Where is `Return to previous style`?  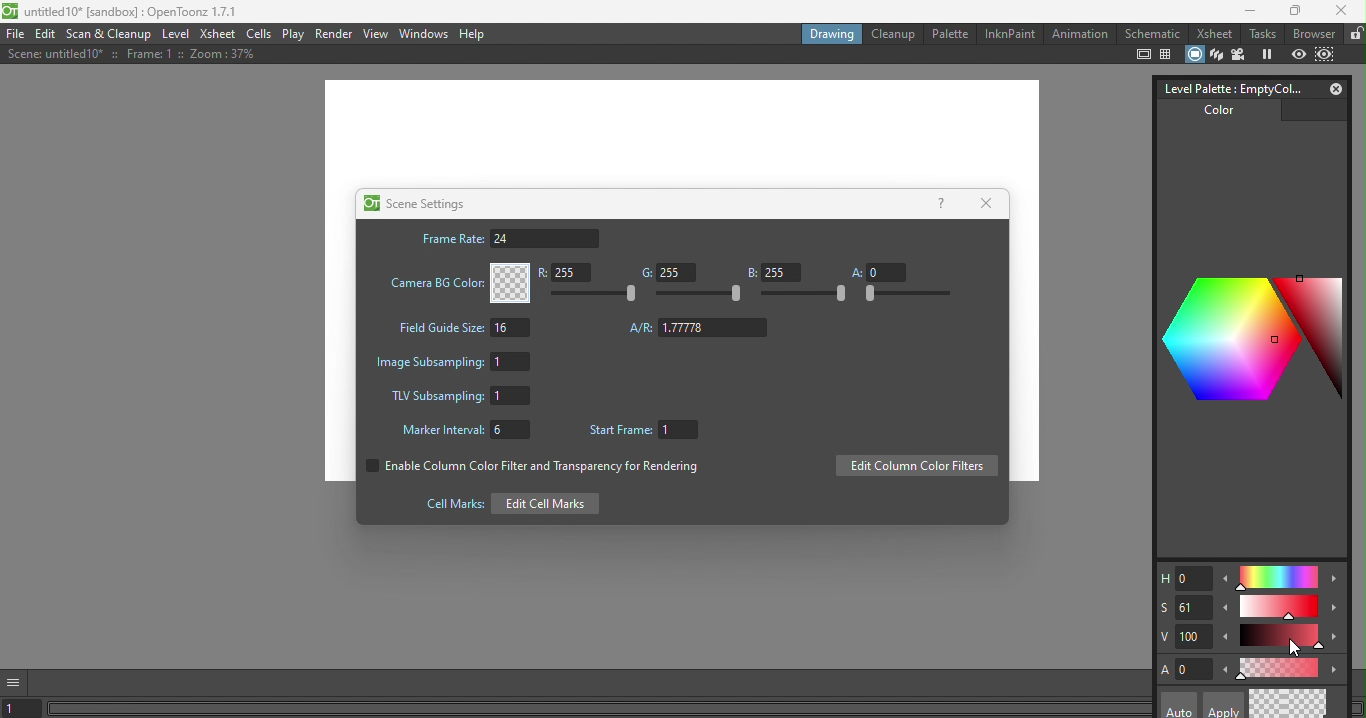
Return to previous style is located at coordinates (1309, 703).